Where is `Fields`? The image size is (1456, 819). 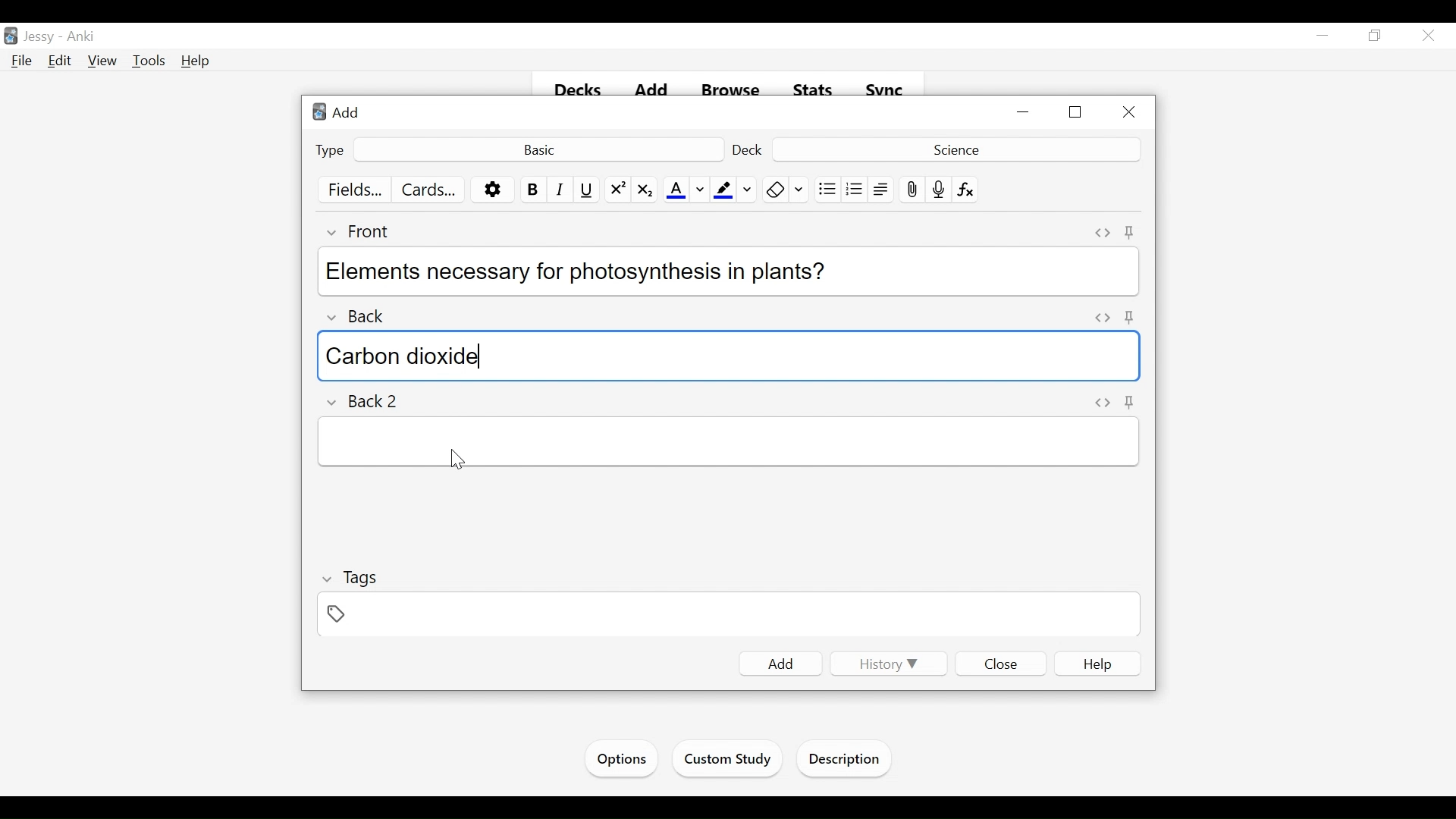 Fields is located at coordinates (356, 190).